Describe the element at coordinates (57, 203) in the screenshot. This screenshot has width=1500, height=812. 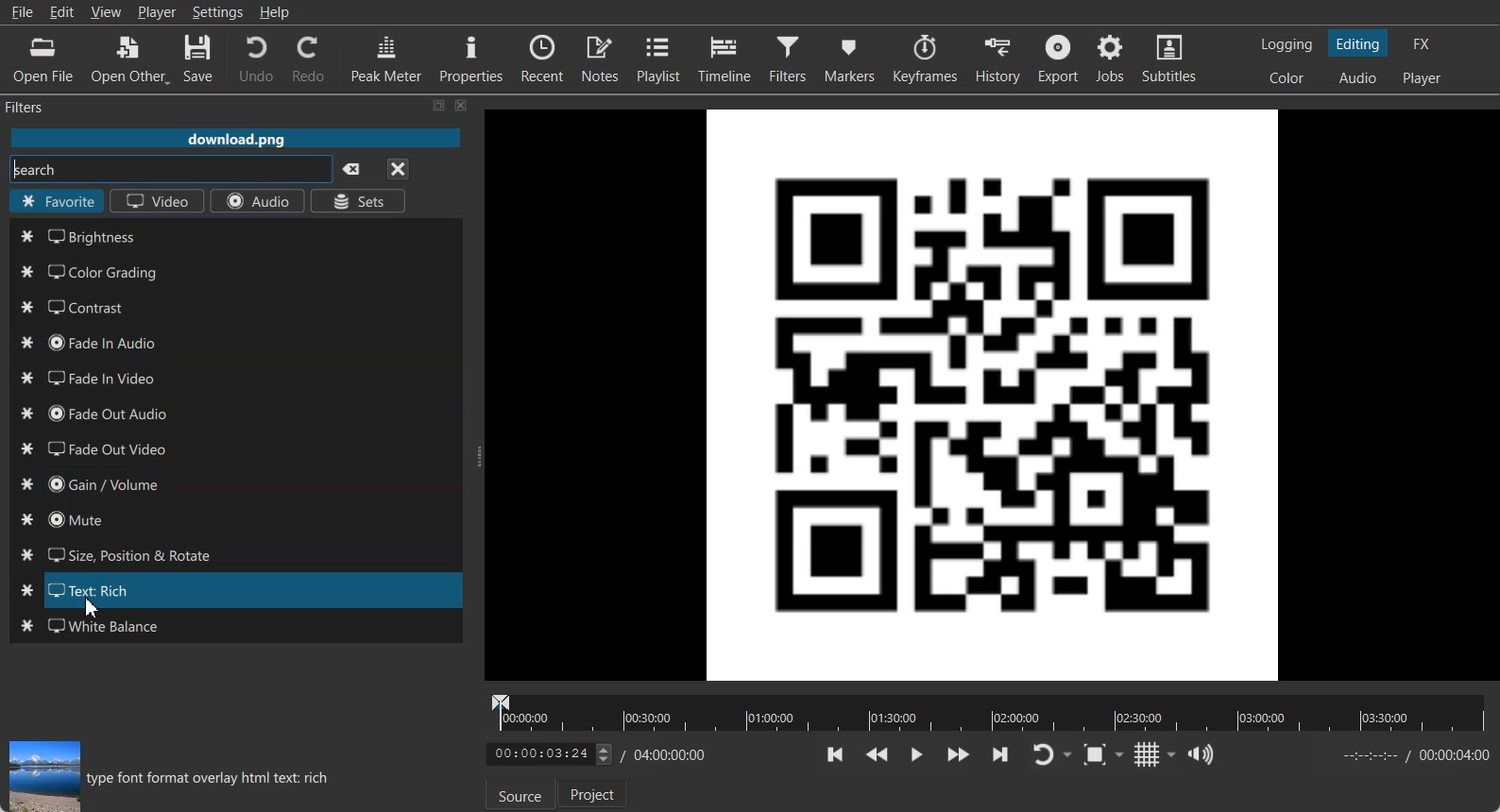
I see `Favorite` at that location.